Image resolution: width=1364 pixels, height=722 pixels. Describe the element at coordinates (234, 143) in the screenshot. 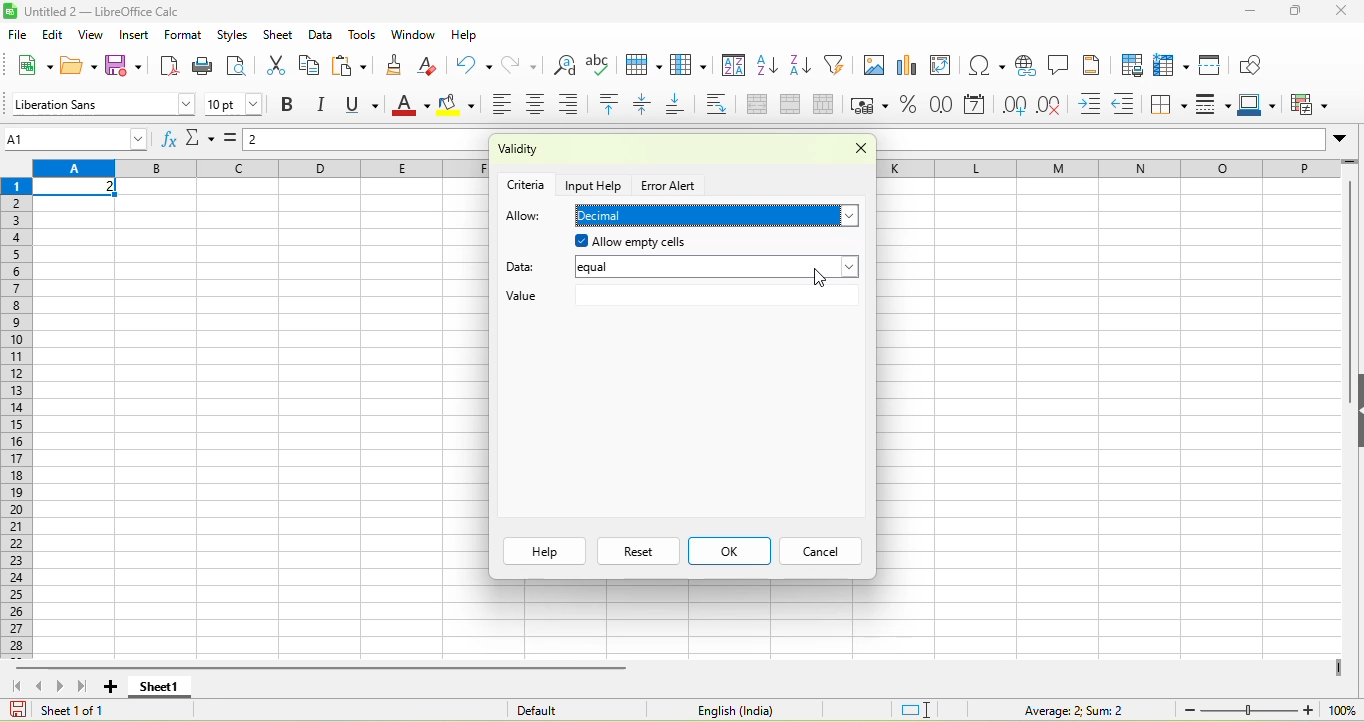

I see `formula` at that location.